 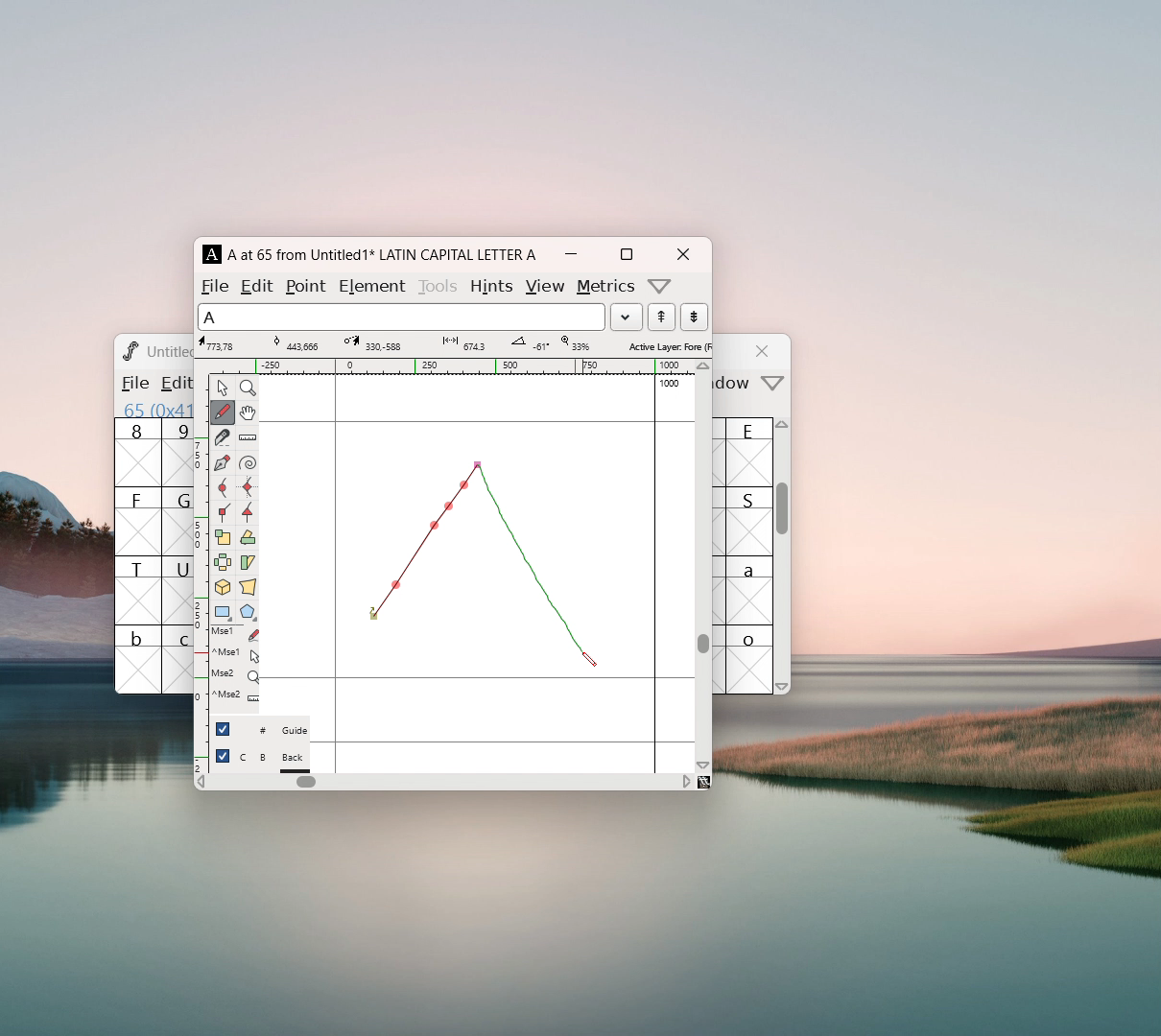 What do you see at coordinates (783, 518) in the screenshot?
I see `scrollbar` at bounding box center [783, 518].